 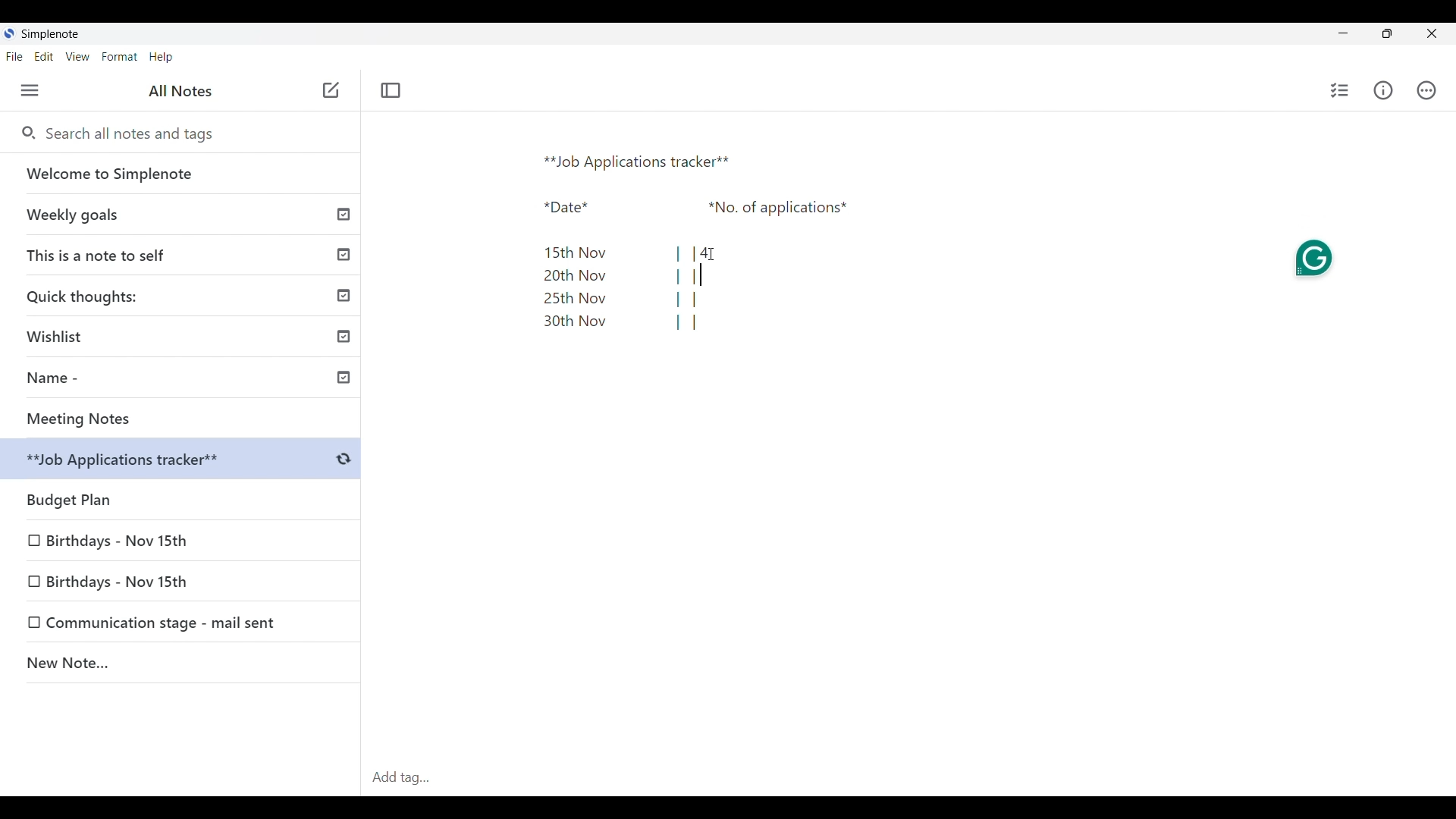 I want to click on Meeting Notes, so click(x=186, y=419).